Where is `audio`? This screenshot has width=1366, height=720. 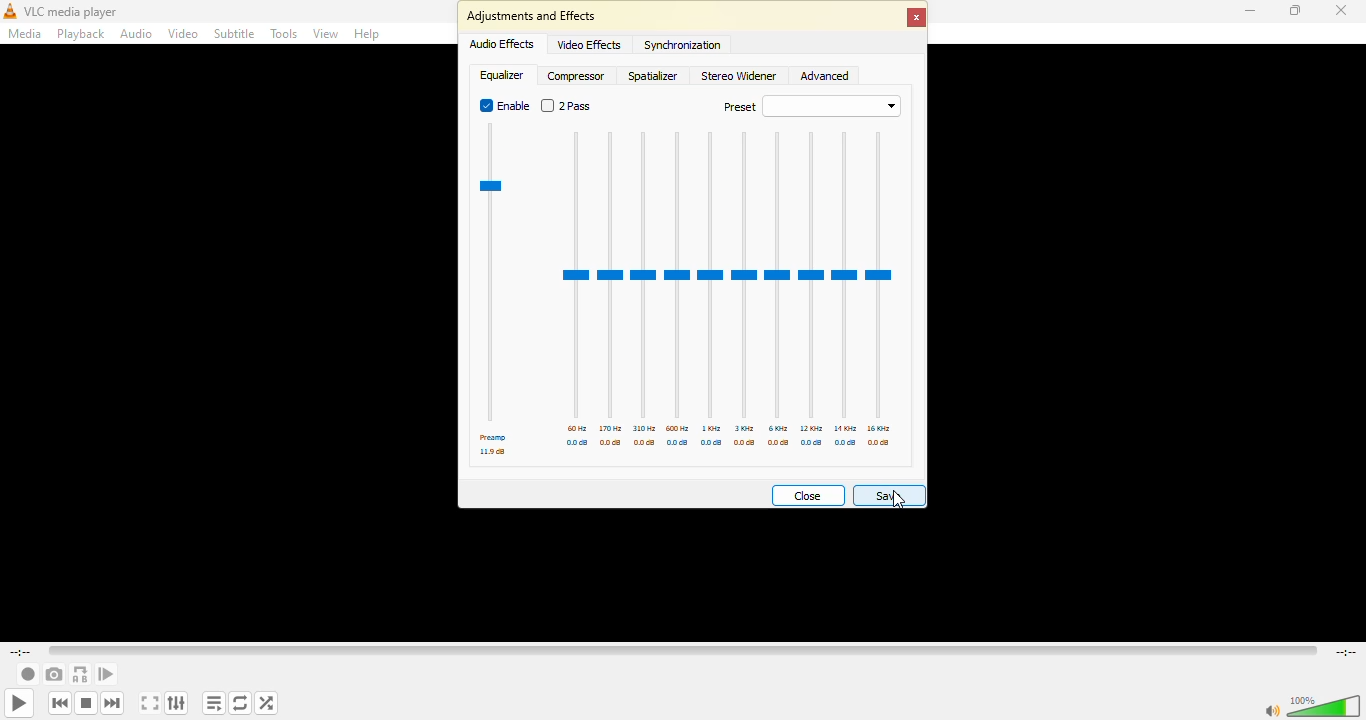 audio is located at coordinates (136, 36).